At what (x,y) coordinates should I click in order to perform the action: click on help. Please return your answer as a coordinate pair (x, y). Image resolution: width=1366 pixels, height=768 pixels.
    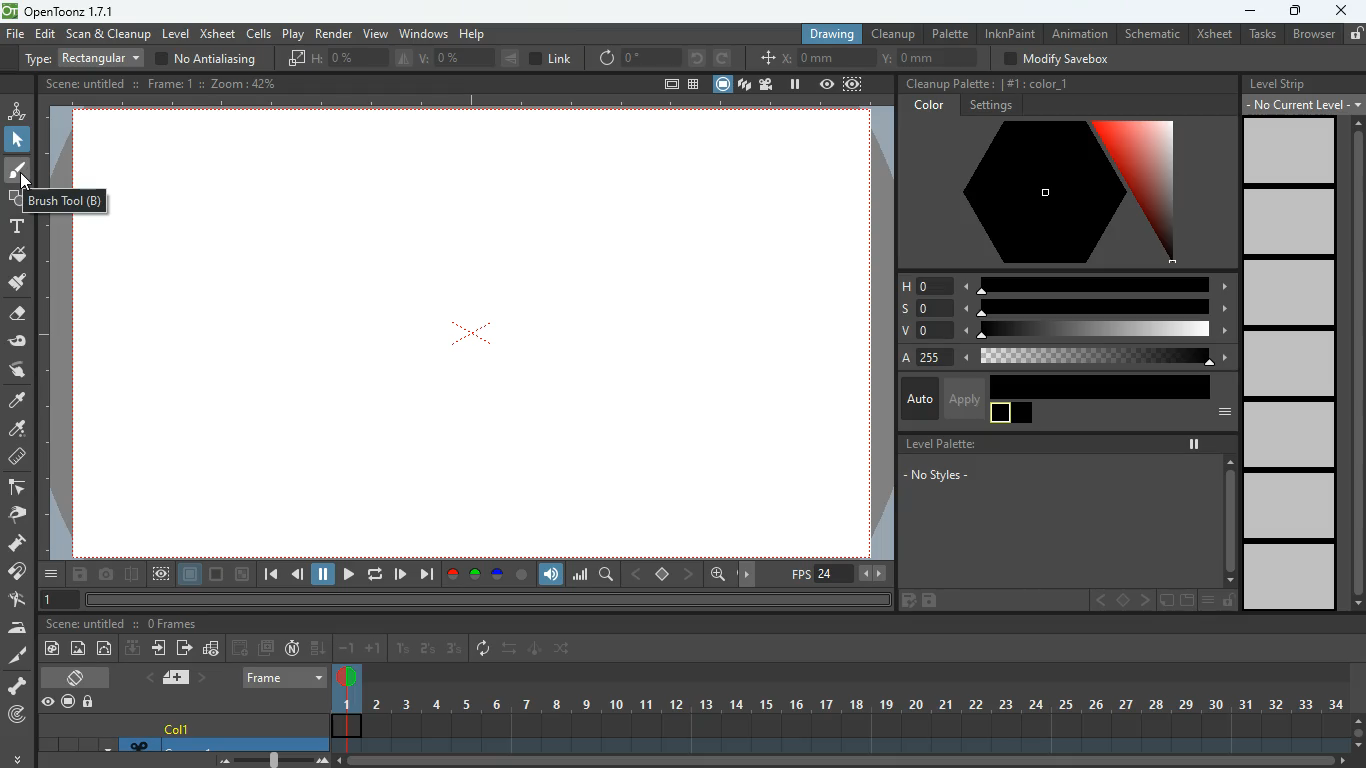
    Looking at the image, I should click on (475, 31).